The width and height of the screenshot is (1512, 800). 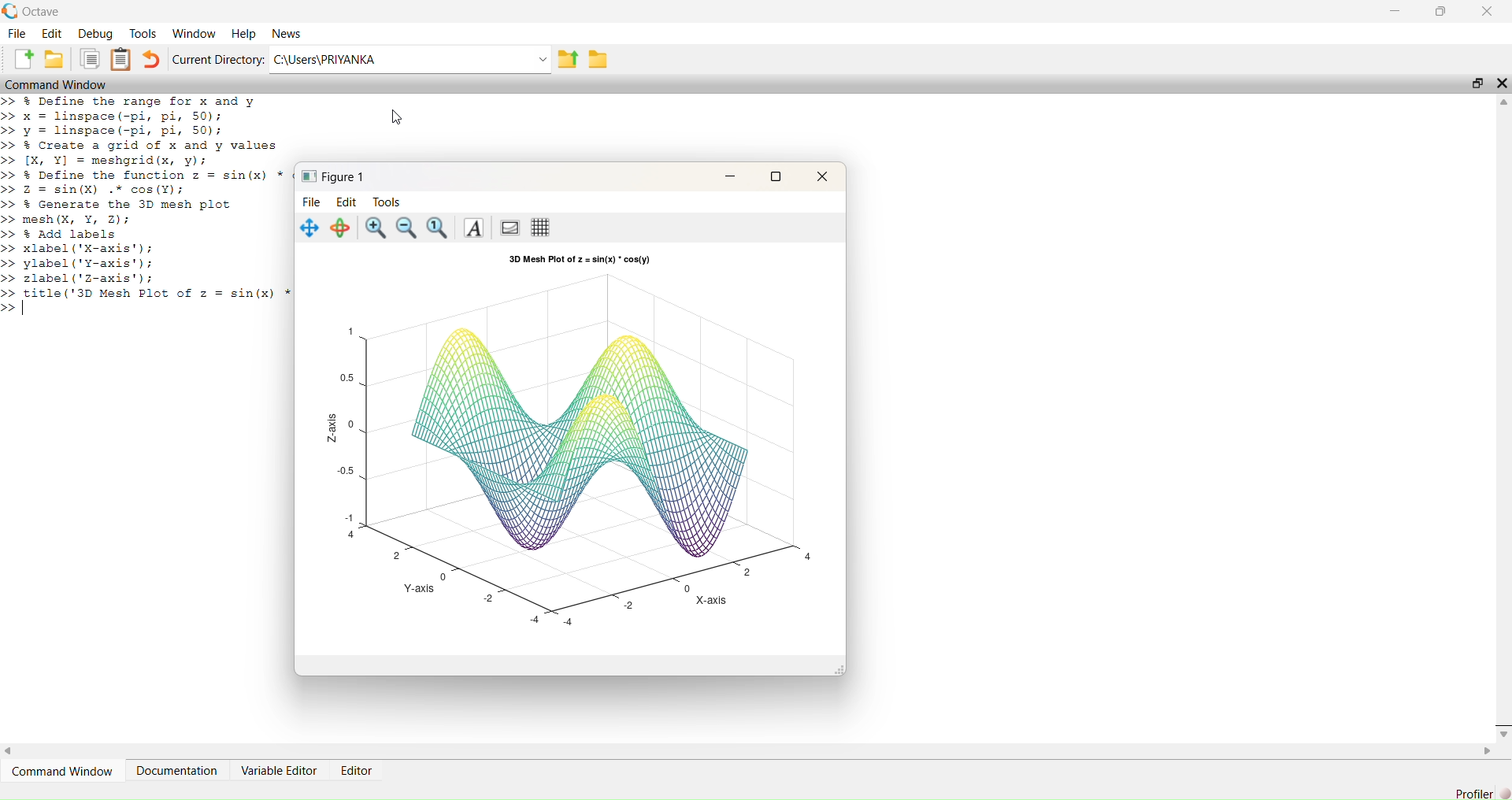 What do you see at coordinates (176, 771) in the screenshot?
I see `Documentation` at bounding box center [176, 771].